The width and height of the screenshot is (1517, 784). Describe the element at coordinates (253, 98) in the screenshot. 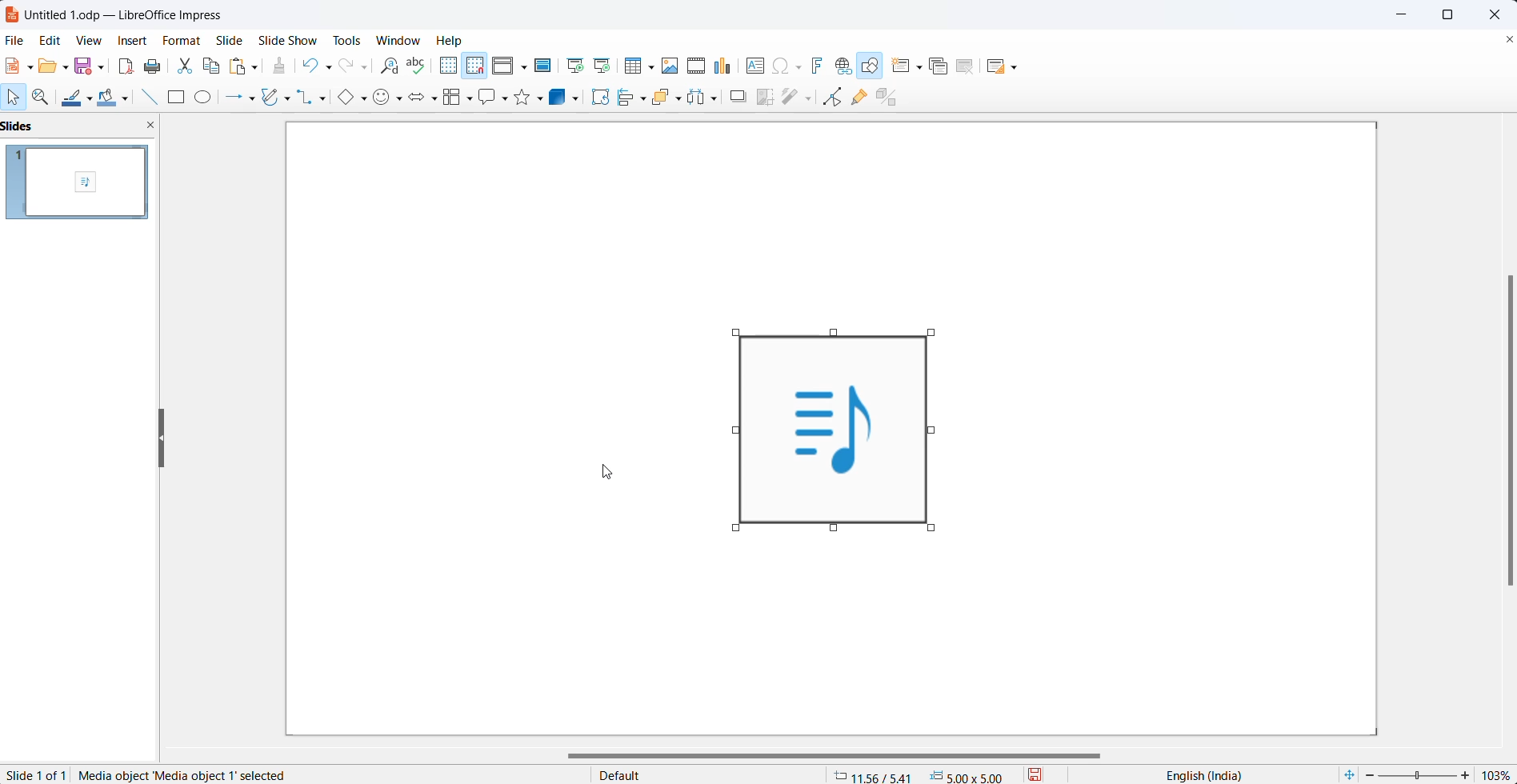

I see `line and arrows options dropdown button` at that location.